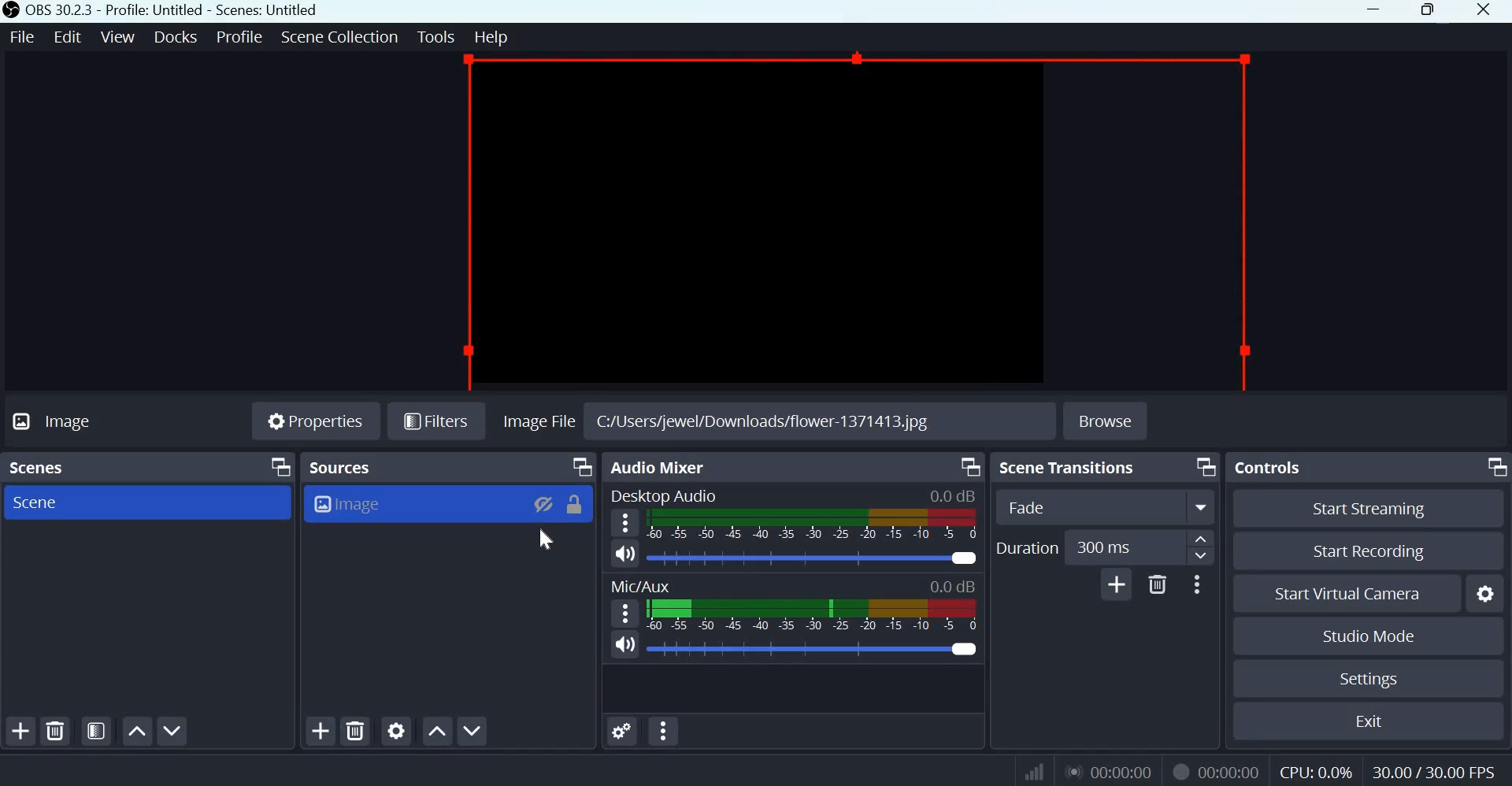  Describe the element at coordinates (538, 421) in the screenshot. I see `image file` at that location.